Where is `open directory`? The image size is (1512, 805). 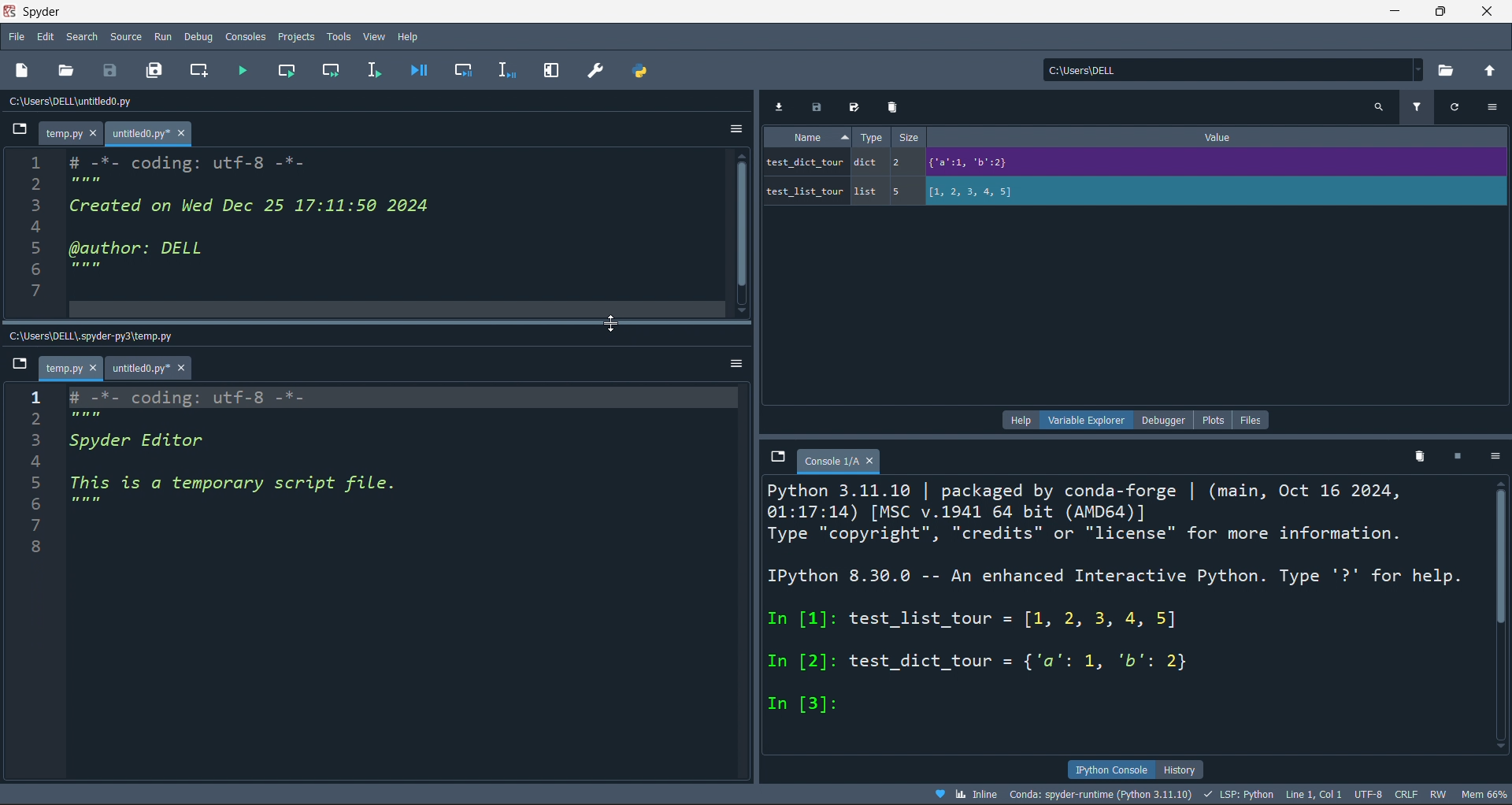 open directory is located at coordinates (1450, 69).